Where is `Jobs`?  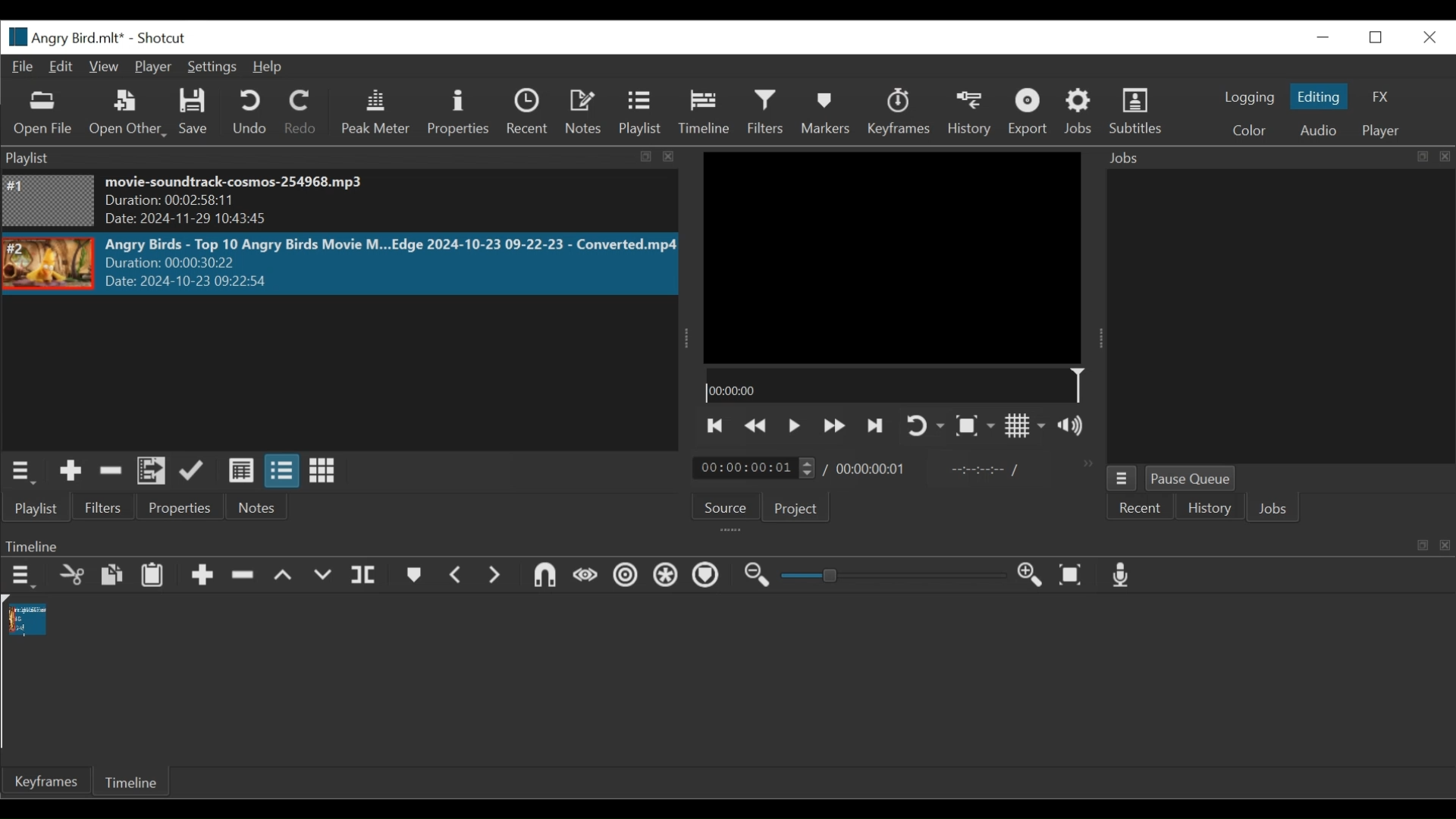
Jobs is located at coordinates (1080, 114).